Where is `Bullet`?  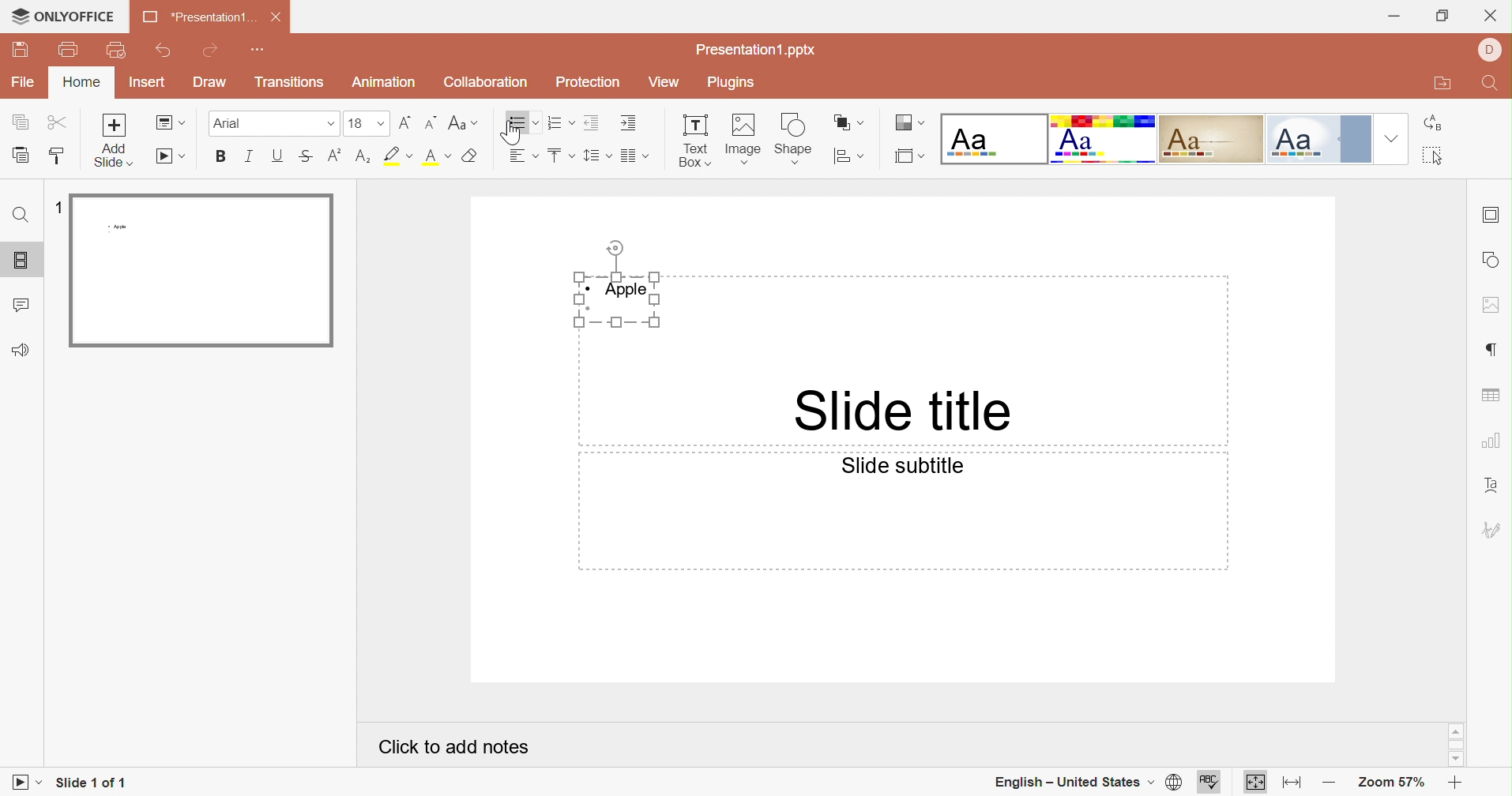 Bullet is located at coordinates (594, 308).